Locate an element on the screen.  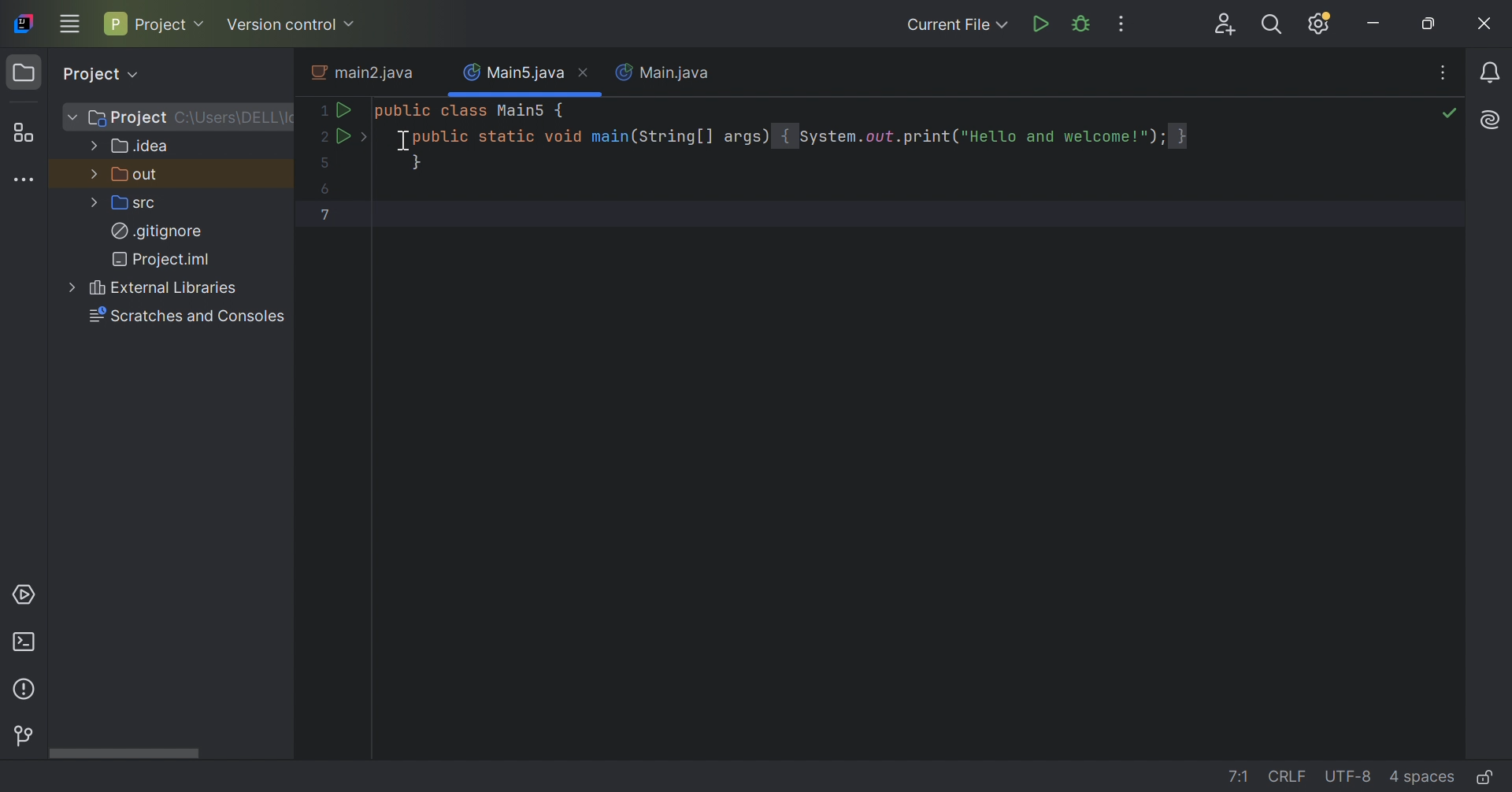
Project is located at coordinates (154, 24).